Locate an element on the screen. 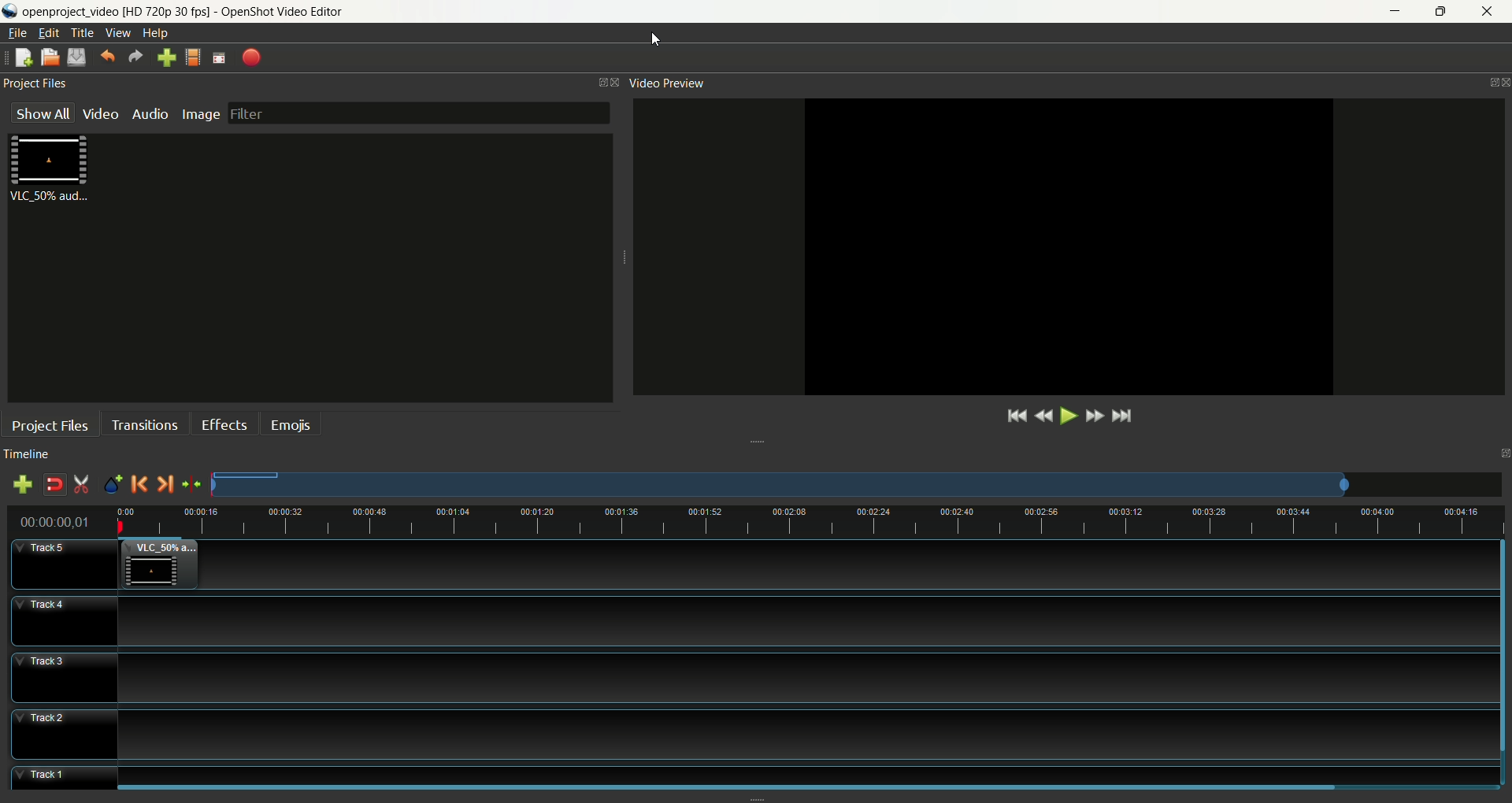 The image size is (1512, 803). audio is located at coordinates (150, 114).